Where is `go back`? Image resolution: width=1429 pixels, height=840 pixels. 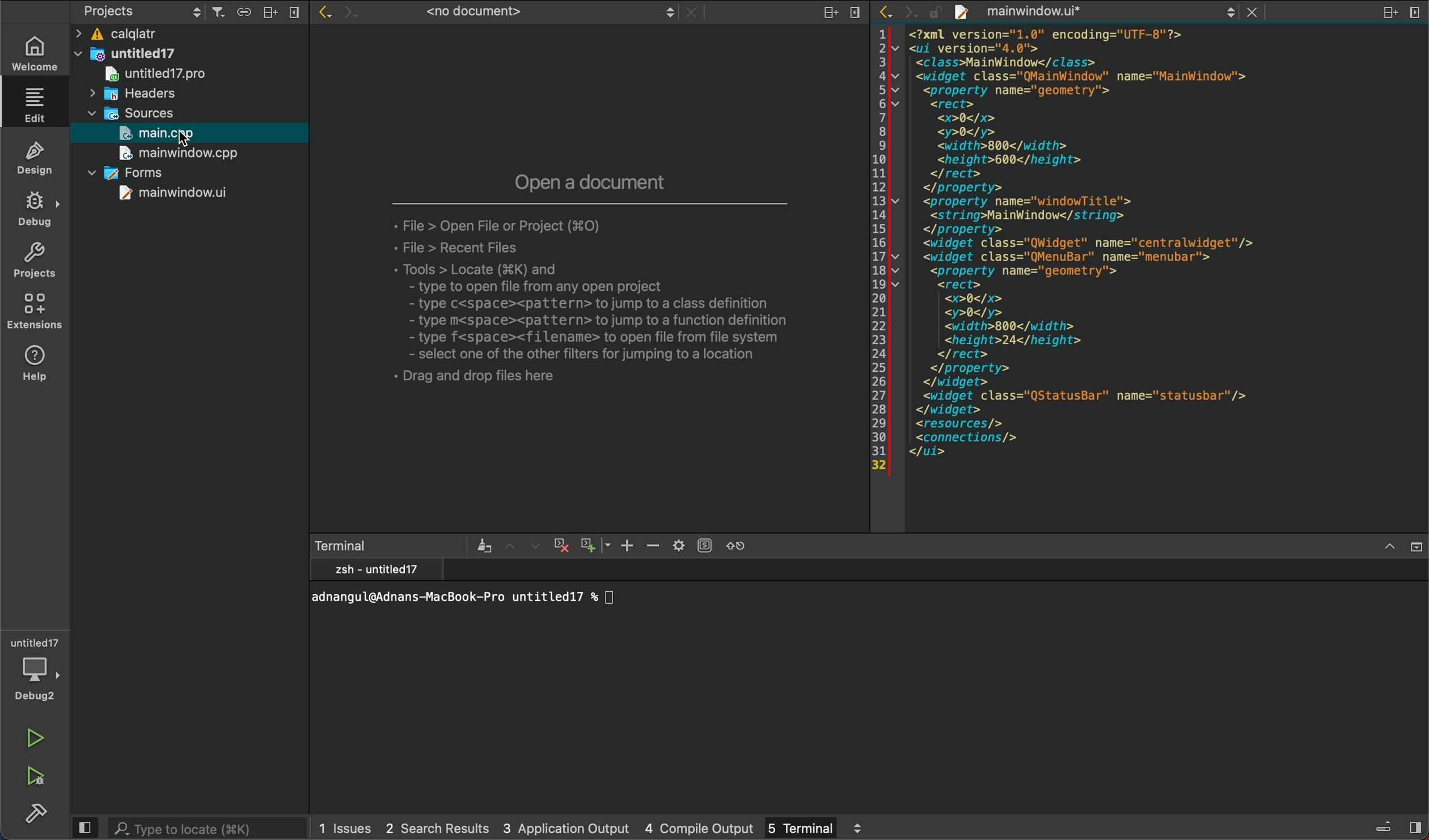 go back is located at coordinates (889, 12).